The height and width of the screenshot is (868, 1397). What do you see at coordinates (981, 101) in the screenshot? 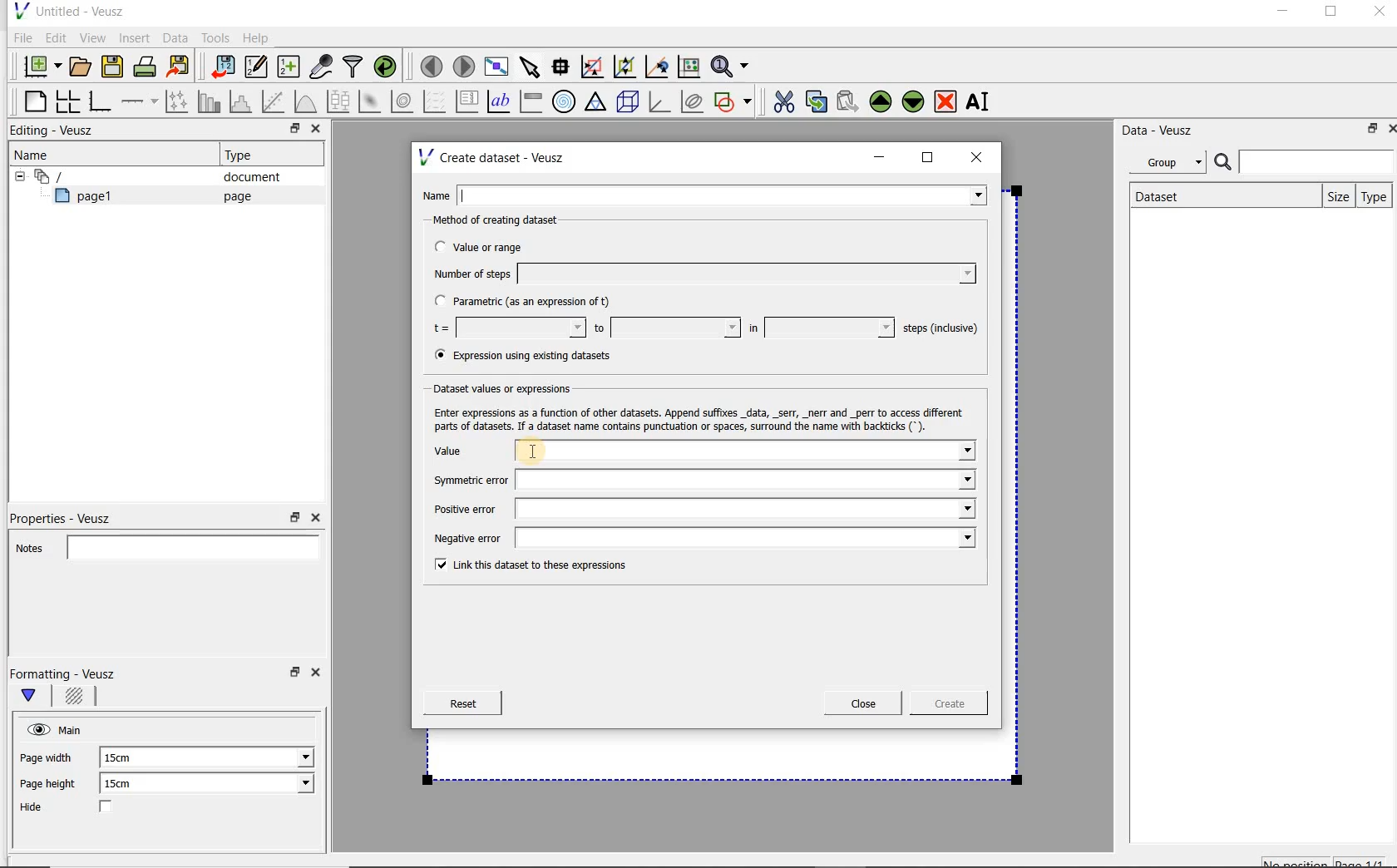
I see `rename the selected widget` at bounding box center [981, 101].